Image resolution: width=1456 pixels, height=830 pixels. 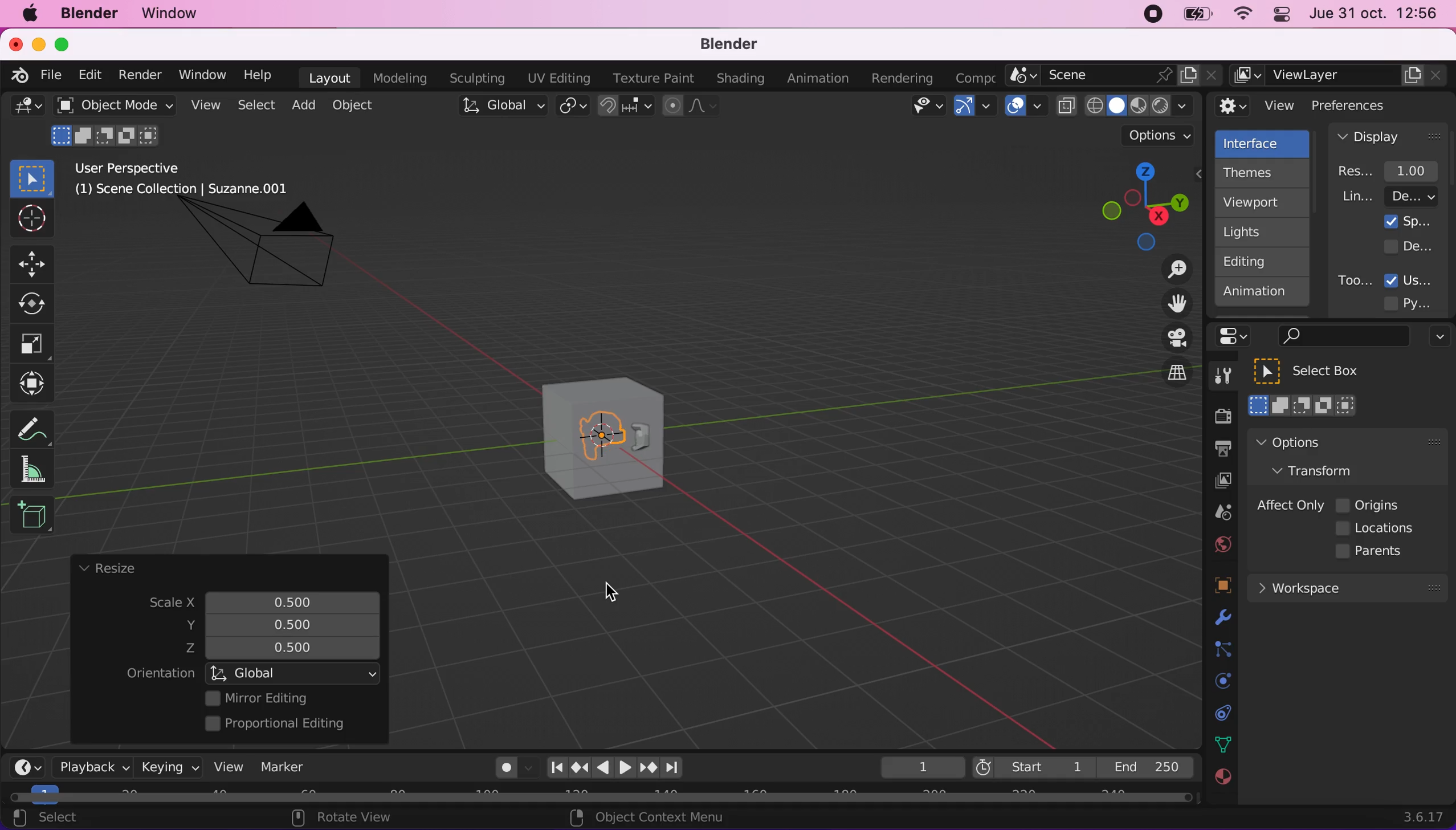 What do you see at coordinates (615, 768) in the screenshot?
I see `play` at bounding box center [615, 768].